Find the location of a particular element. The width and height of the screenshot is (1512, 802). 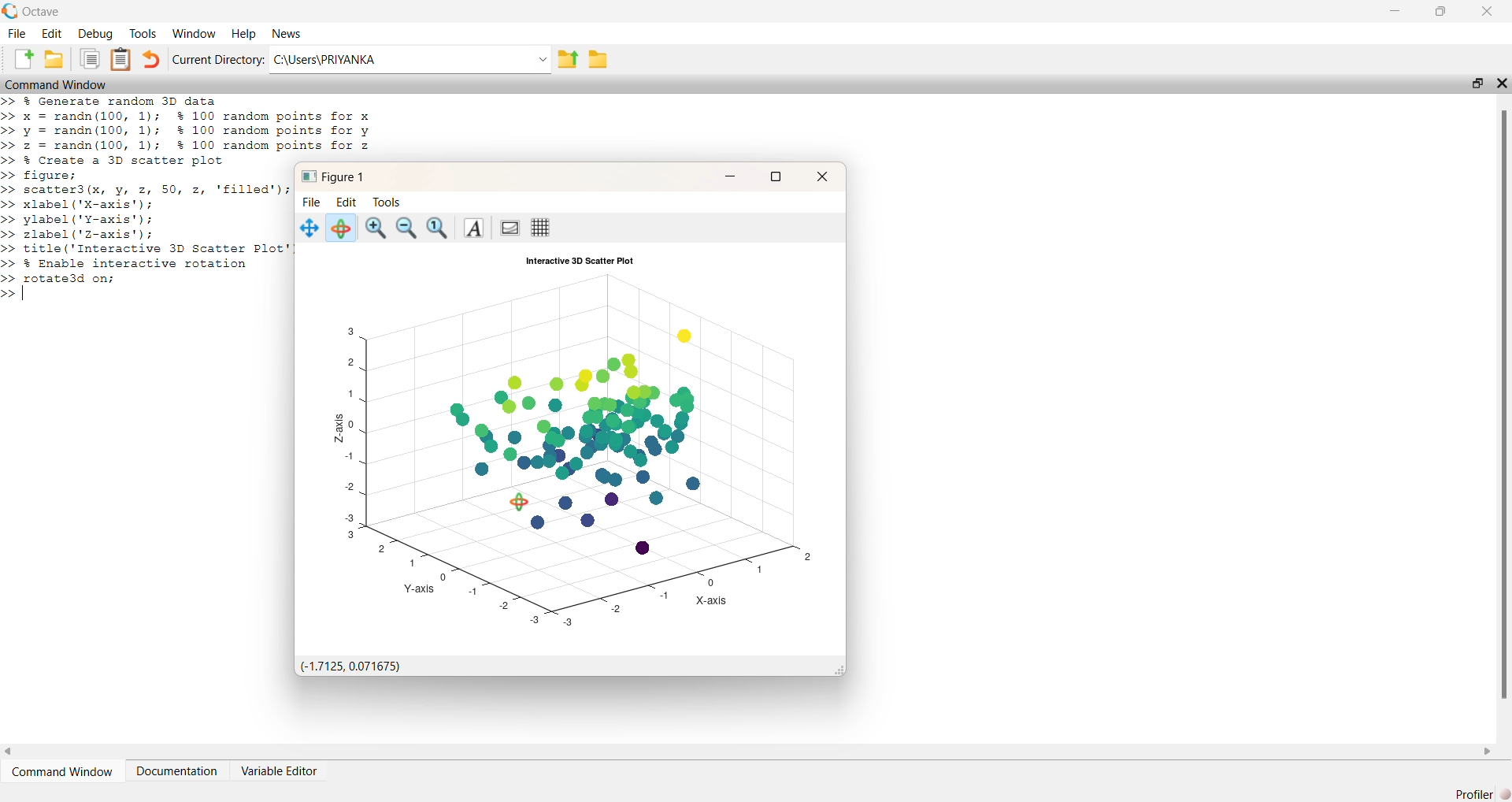

Profiler is located at coordinates (1481, 793).